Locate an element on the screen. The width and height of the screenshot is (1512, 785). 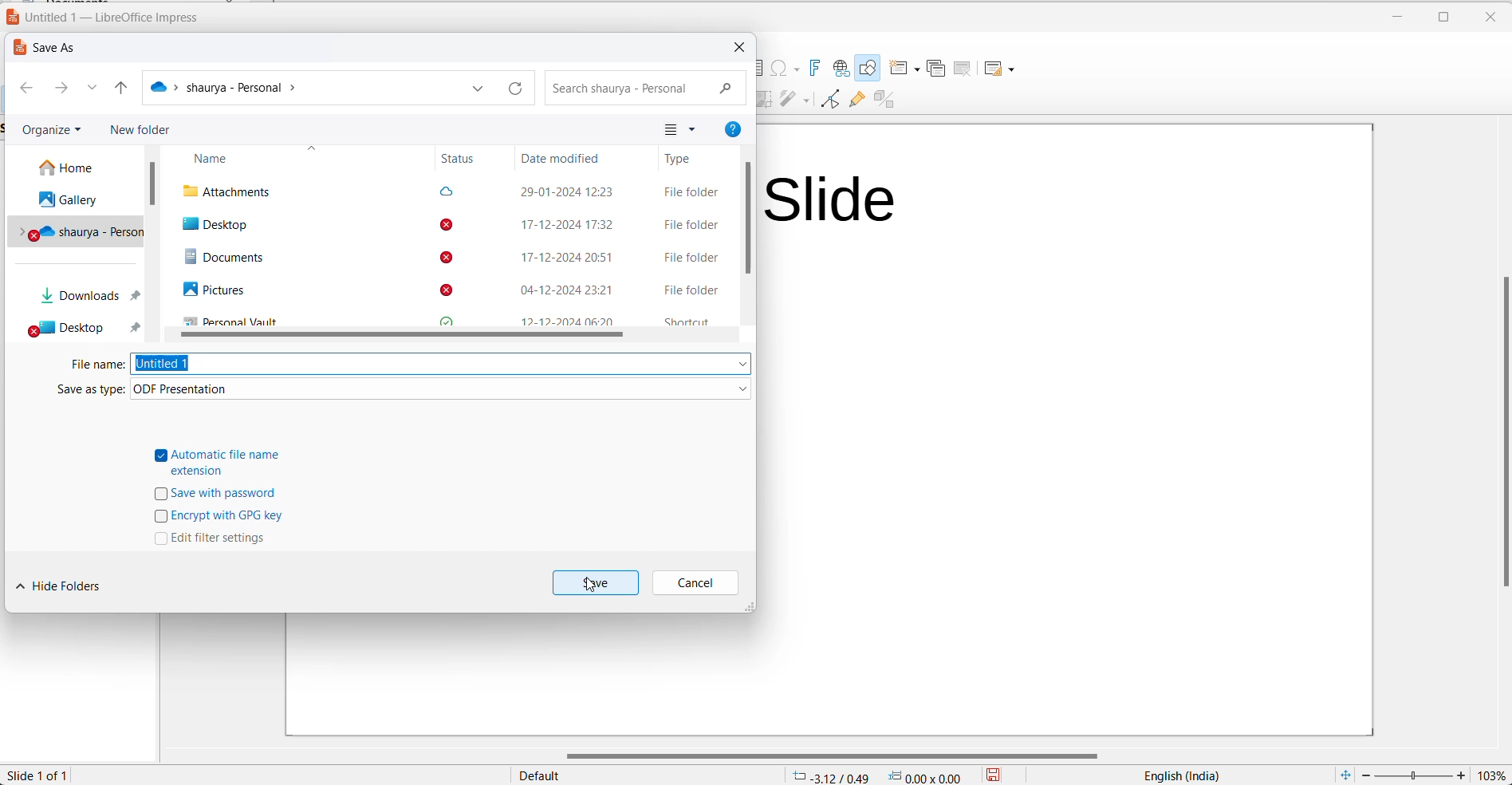
go forward is located at coordinates (59, 88).